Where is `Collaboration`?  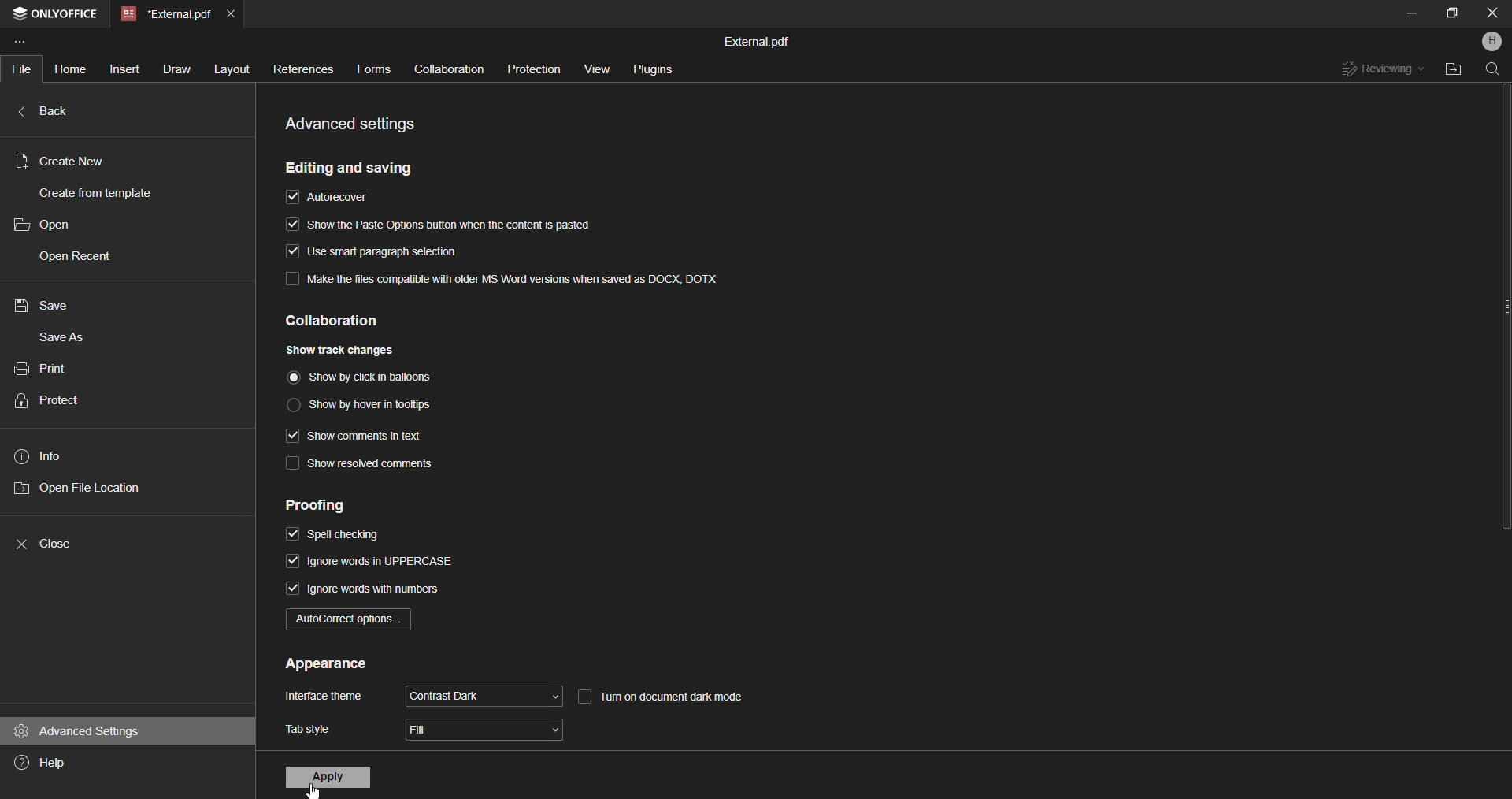
Collaboration is located at coordinates (447, 70).